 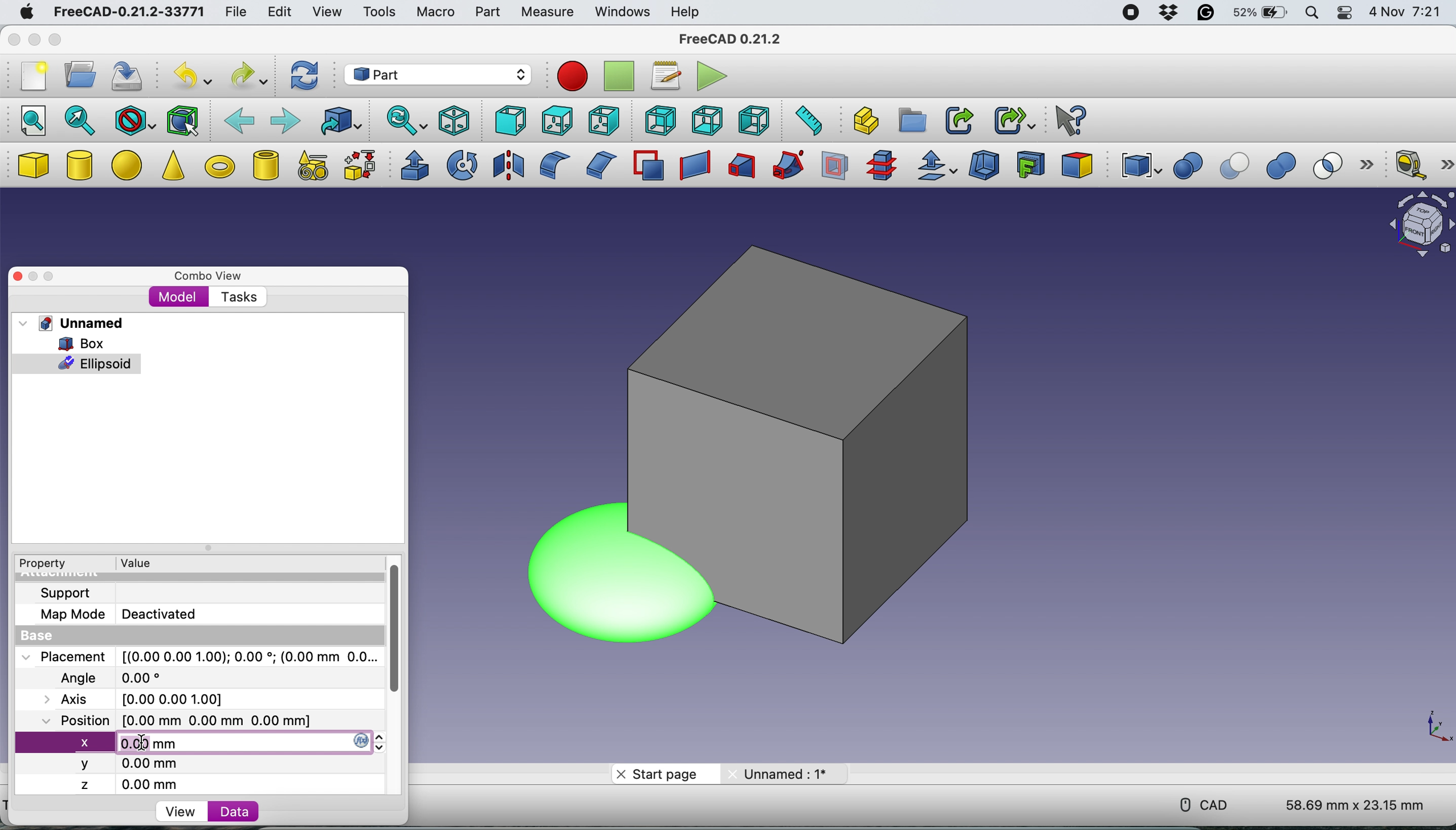 What do you see at coordinates (818, 438) in the screenshot?
I see `box` at bounding box center [818, 438].